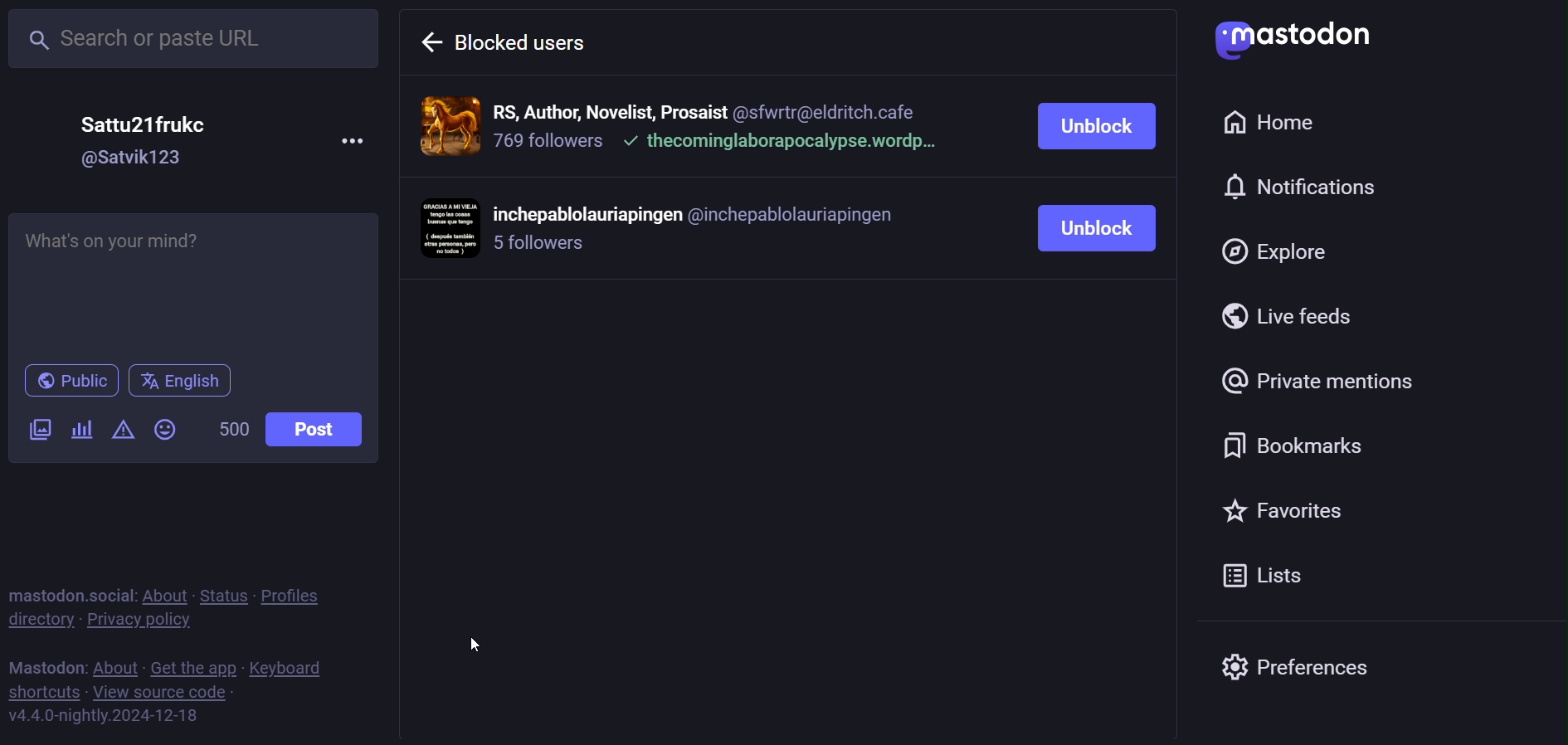 This screenshot has width=1568, height=745. I want to click on about, so click(113, 663).